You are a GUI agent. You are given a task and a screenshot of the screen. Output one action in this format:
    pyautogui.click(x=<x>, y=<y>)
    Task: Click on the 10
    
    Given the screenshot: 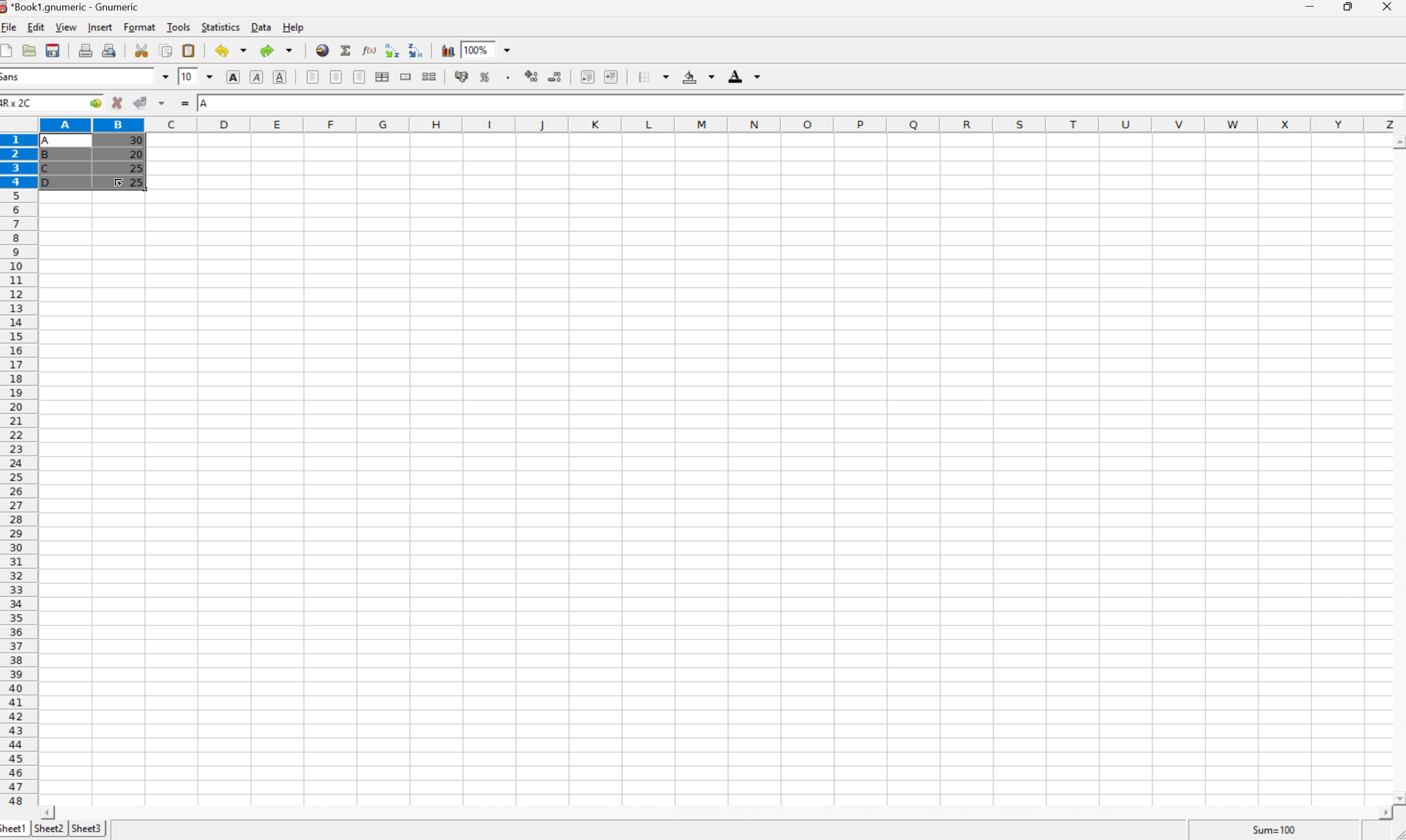 What is the action you would take?
    pyautogui.click(x=187, y=76)
    